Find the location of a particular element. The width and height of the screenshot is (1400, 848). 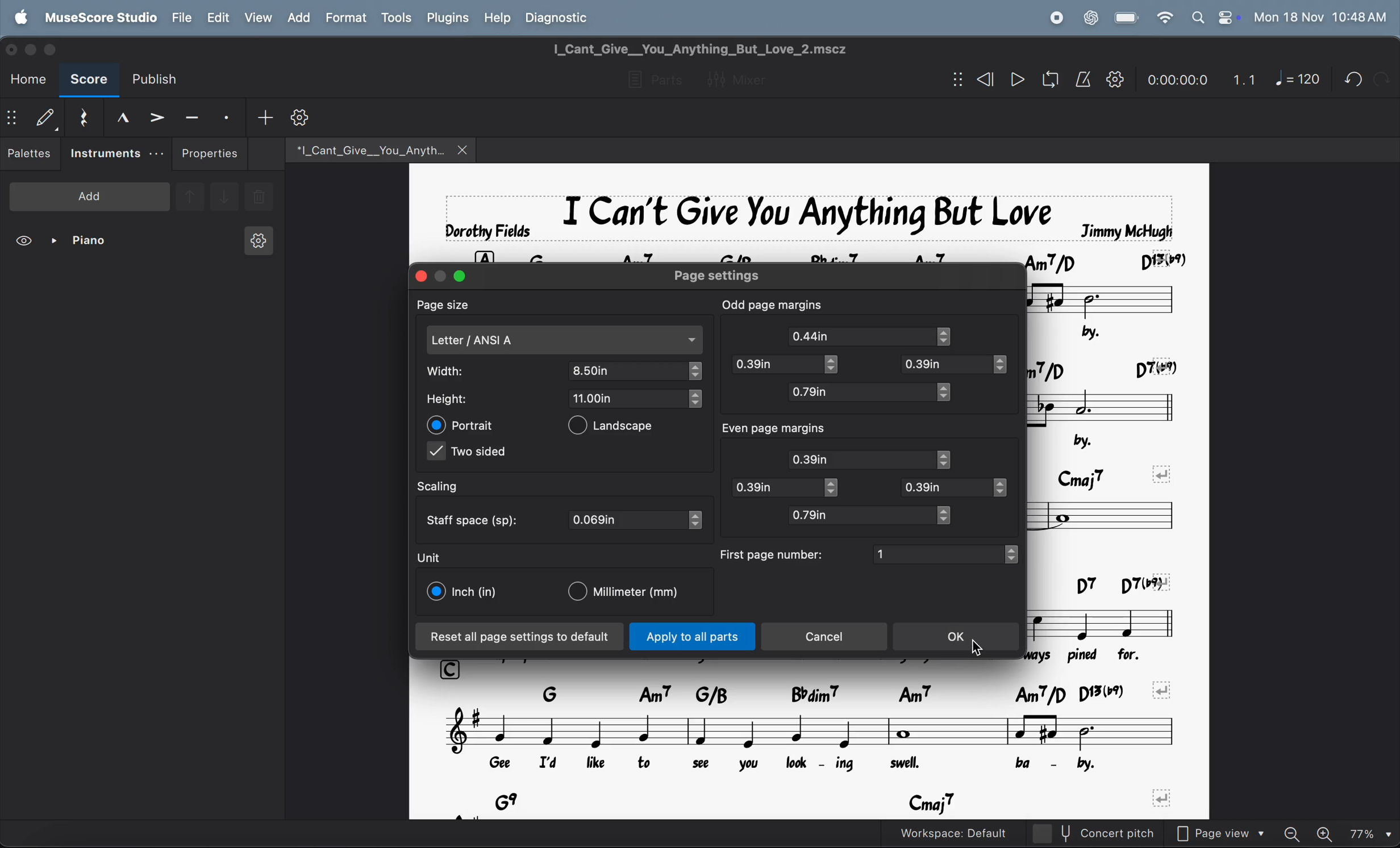

lyrics is located at coordinates (1122, 330).